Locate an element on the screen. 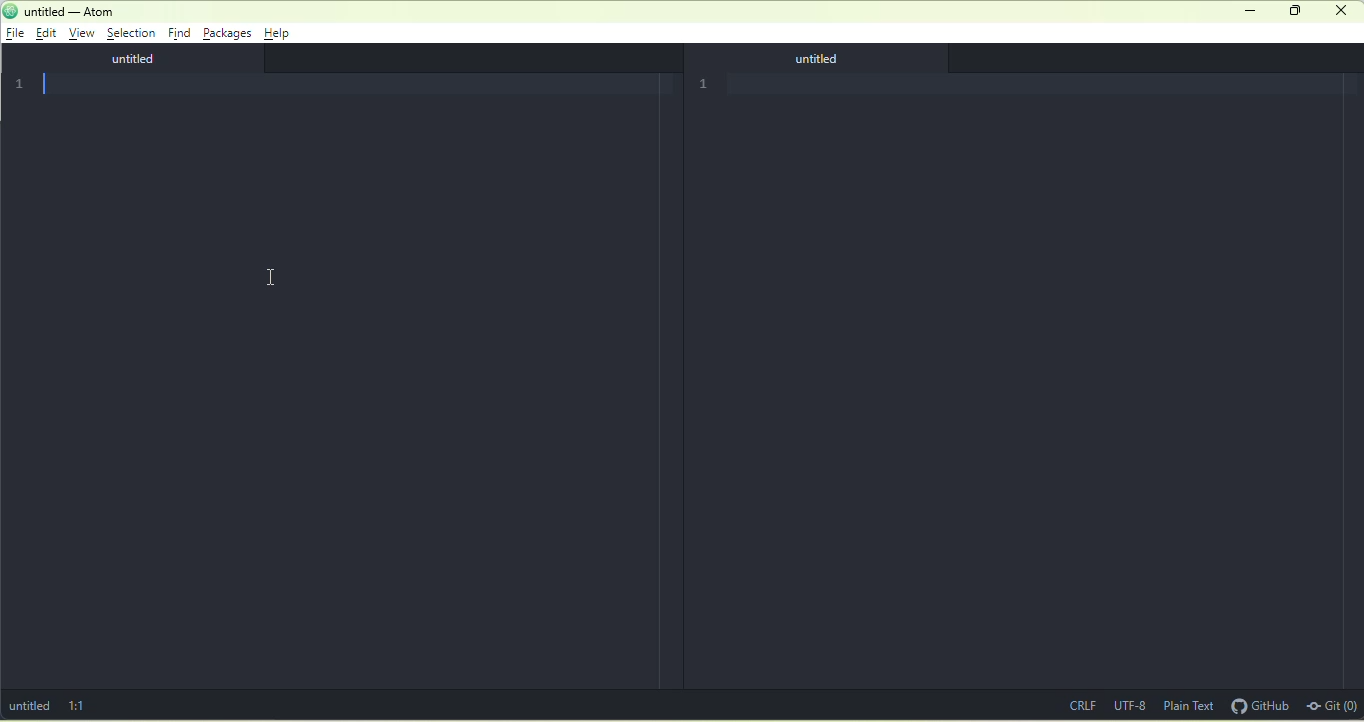  untitled is located at coordinates (136, 60).